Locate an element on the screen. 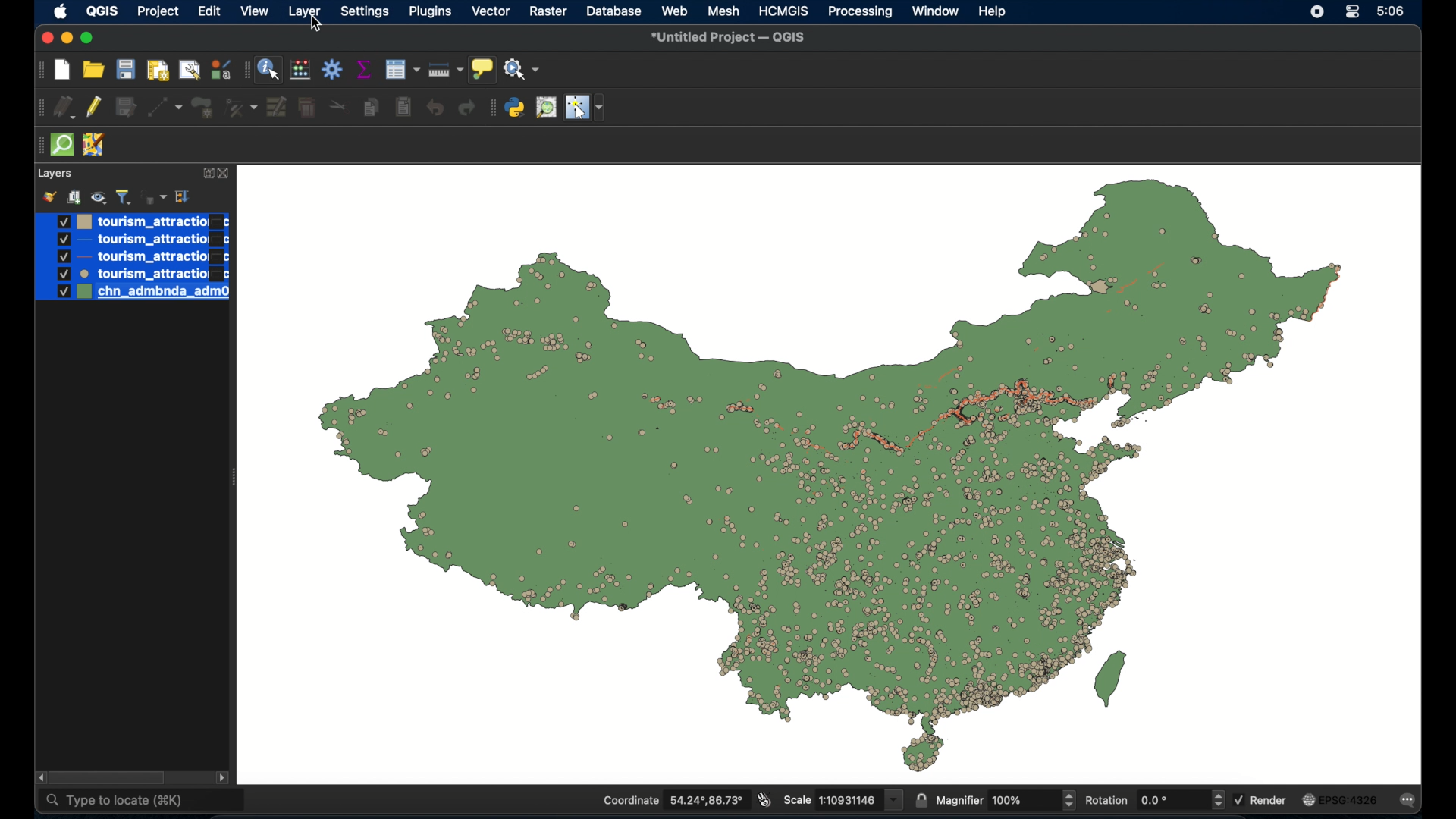  scroll right arrow is located at coordinates (222, 777).